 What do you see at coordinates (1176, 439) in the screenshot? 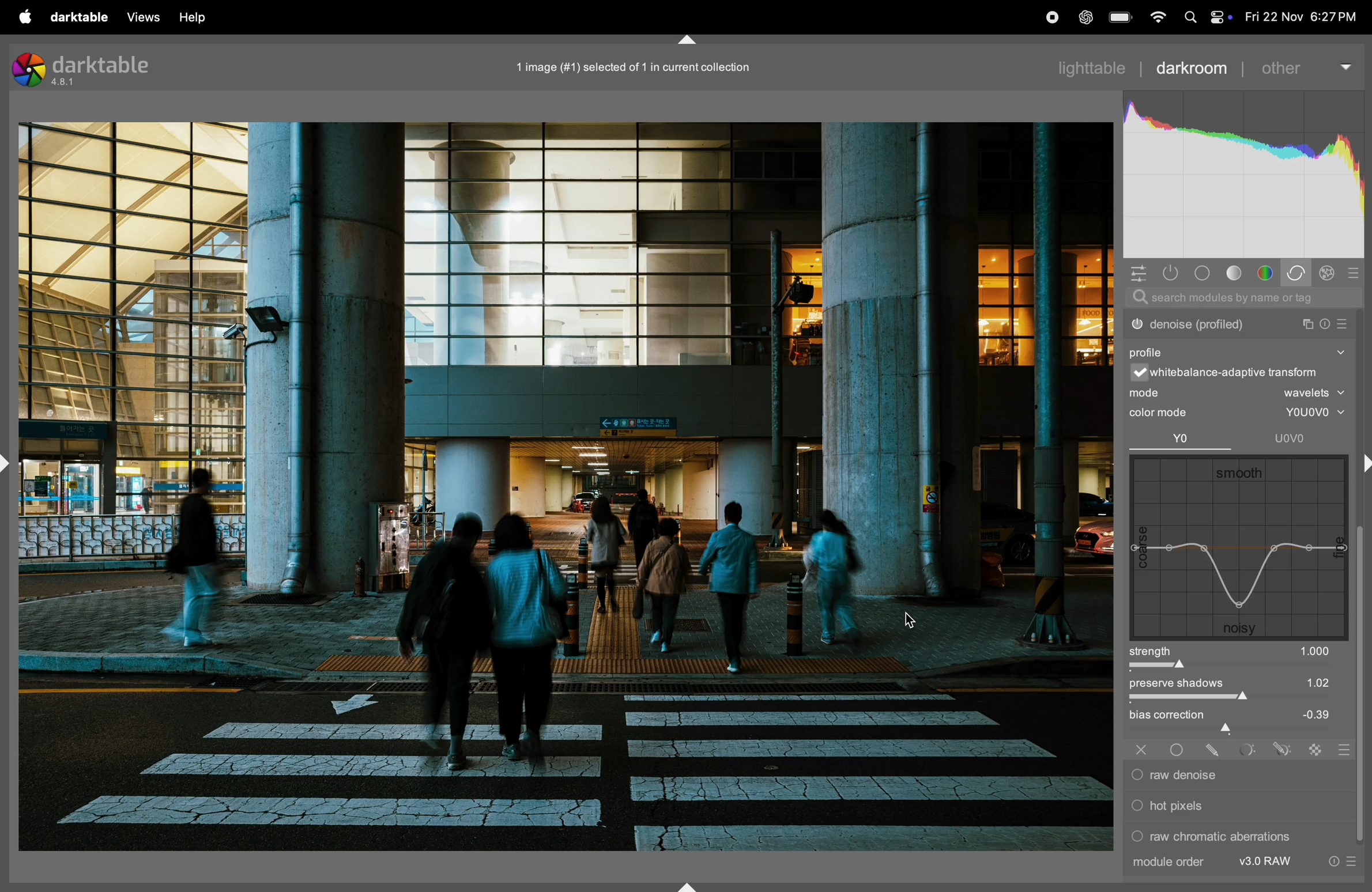
I see `Yo` at bounding box center [1176, 439].